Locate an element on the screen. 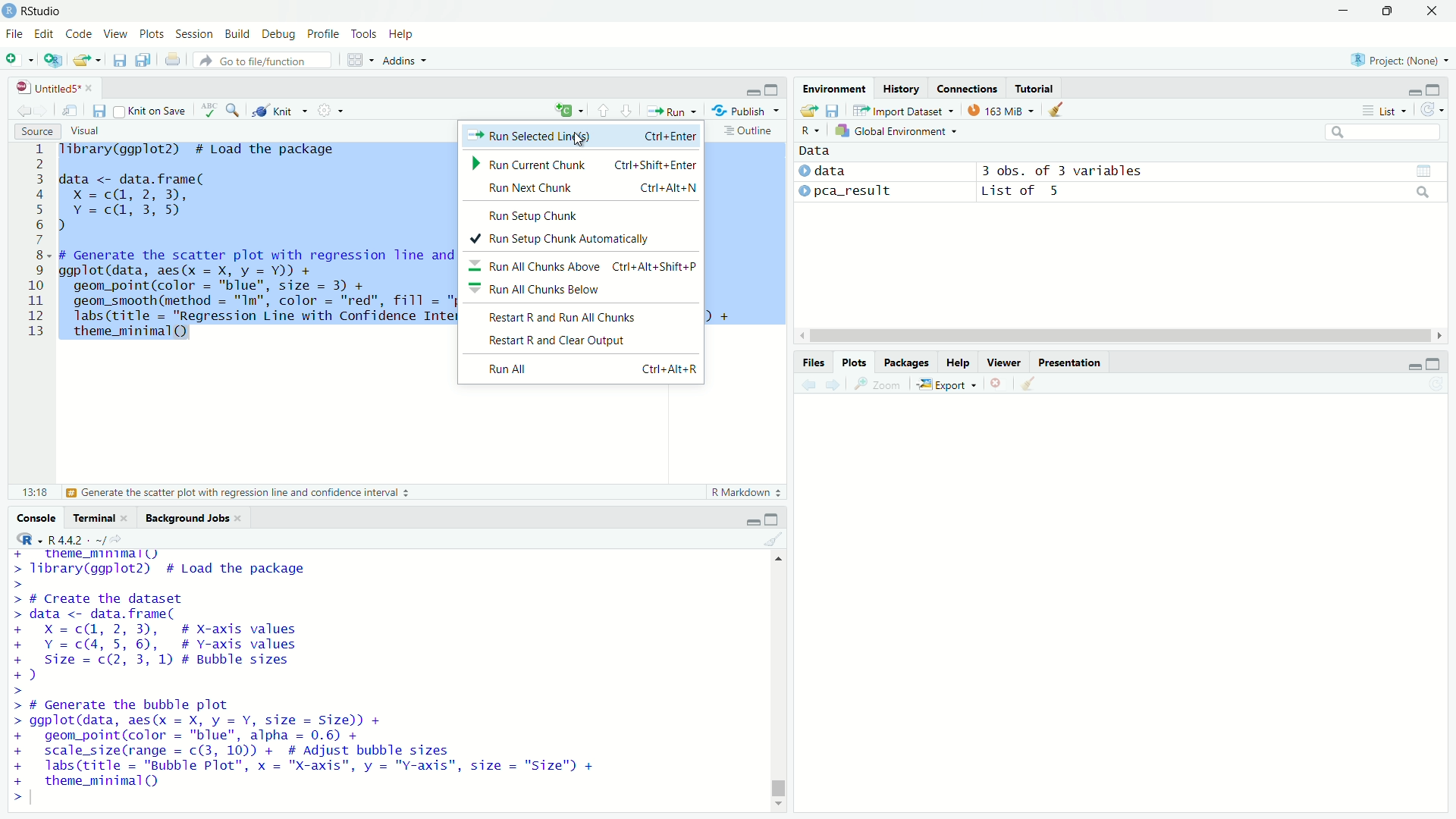 The height and width of the screenshot is (819, 1456). Source is located at coordinates (36, 131).